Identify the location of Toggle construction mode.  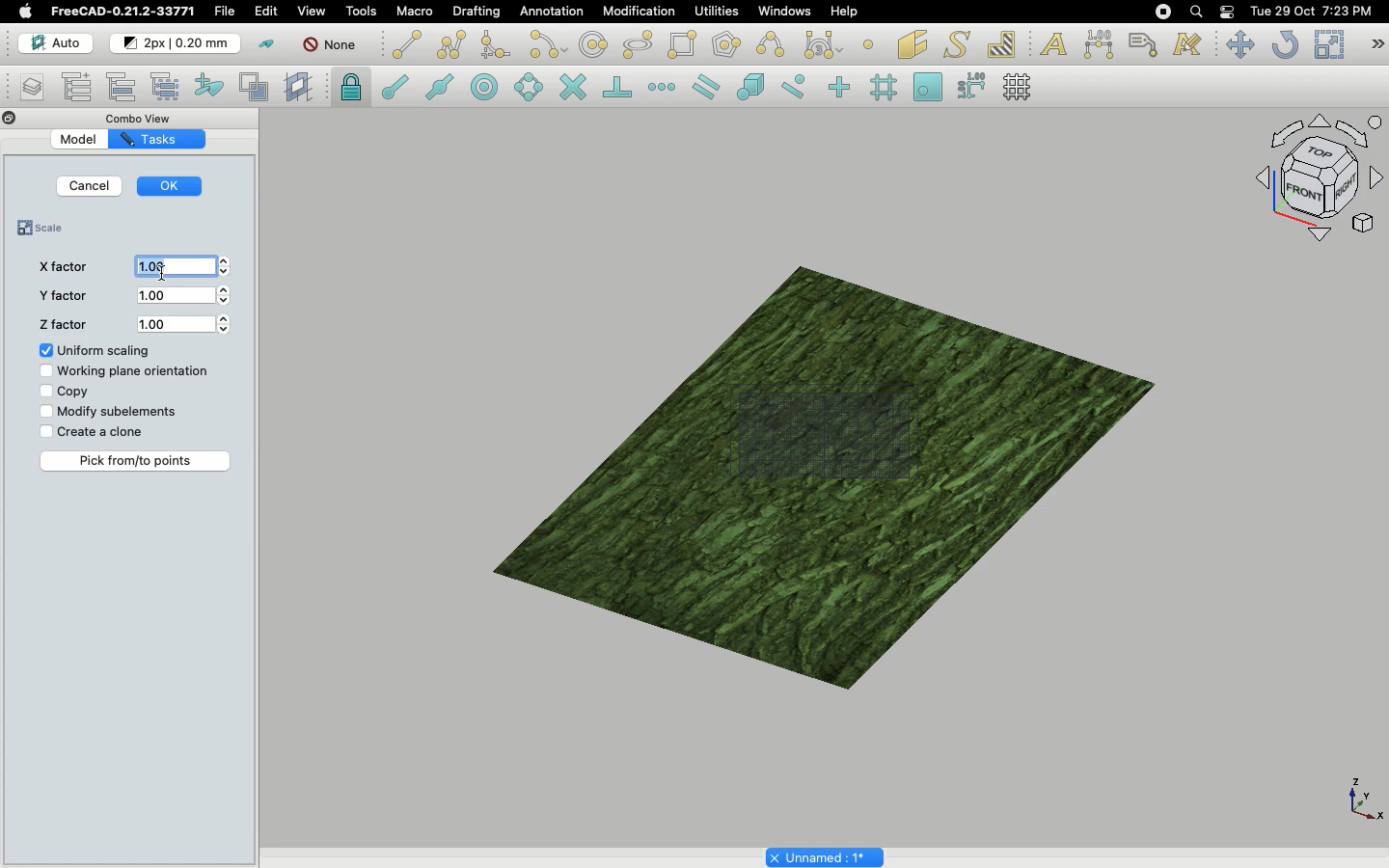
(265, 43).